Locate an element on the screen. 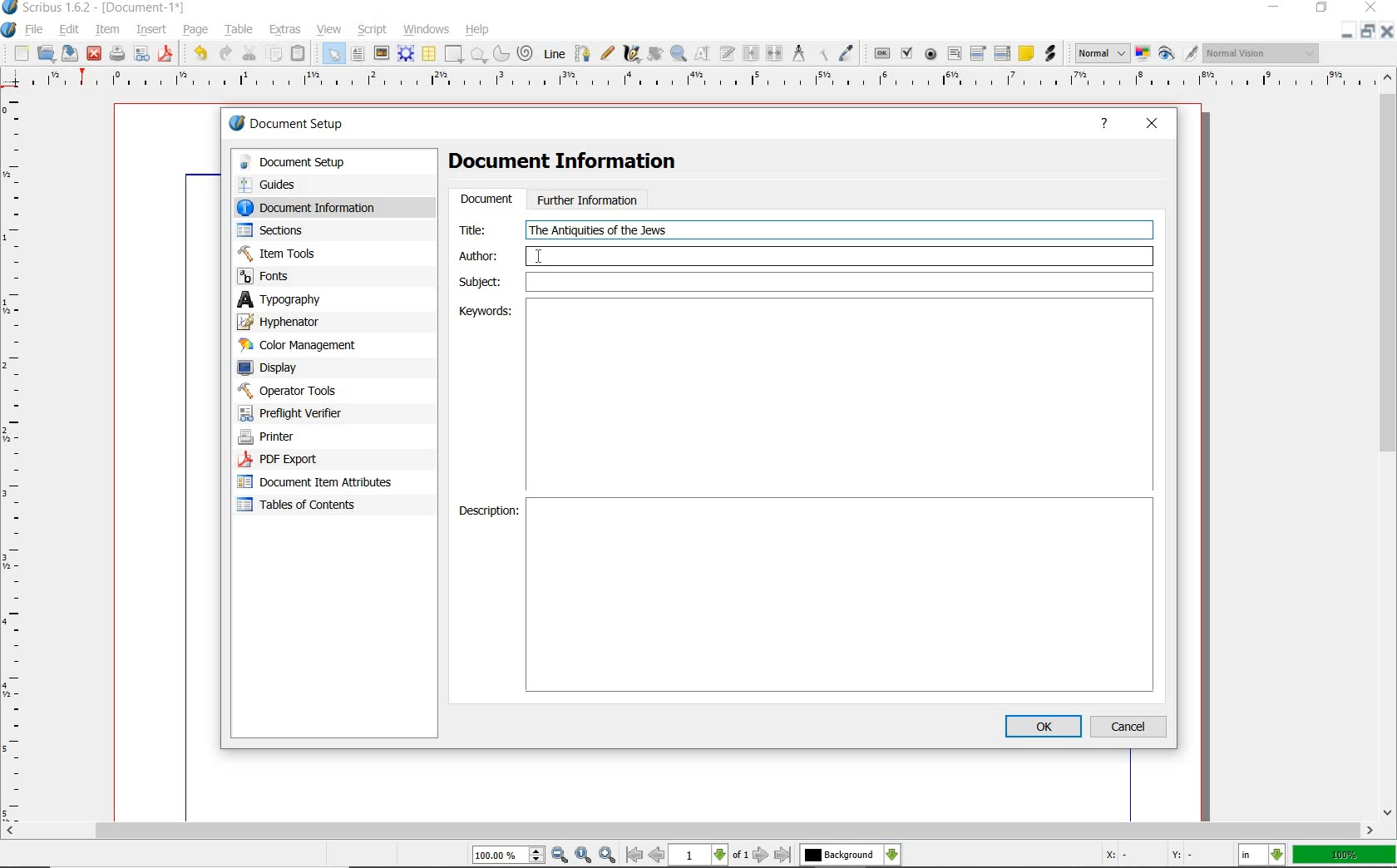 The image size is (1397, 868). insert is located at coordinates (151, 29).